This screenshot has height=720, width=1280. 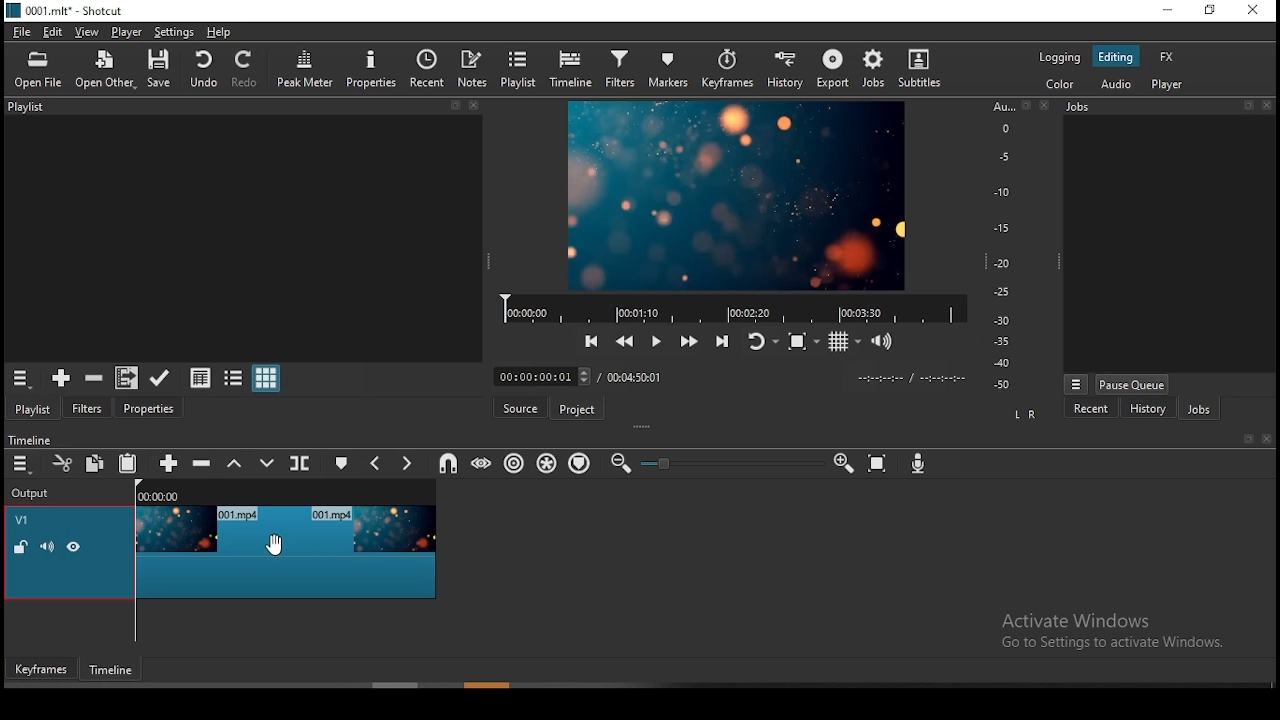 I want to click on player, so click(x=1169, y=84).